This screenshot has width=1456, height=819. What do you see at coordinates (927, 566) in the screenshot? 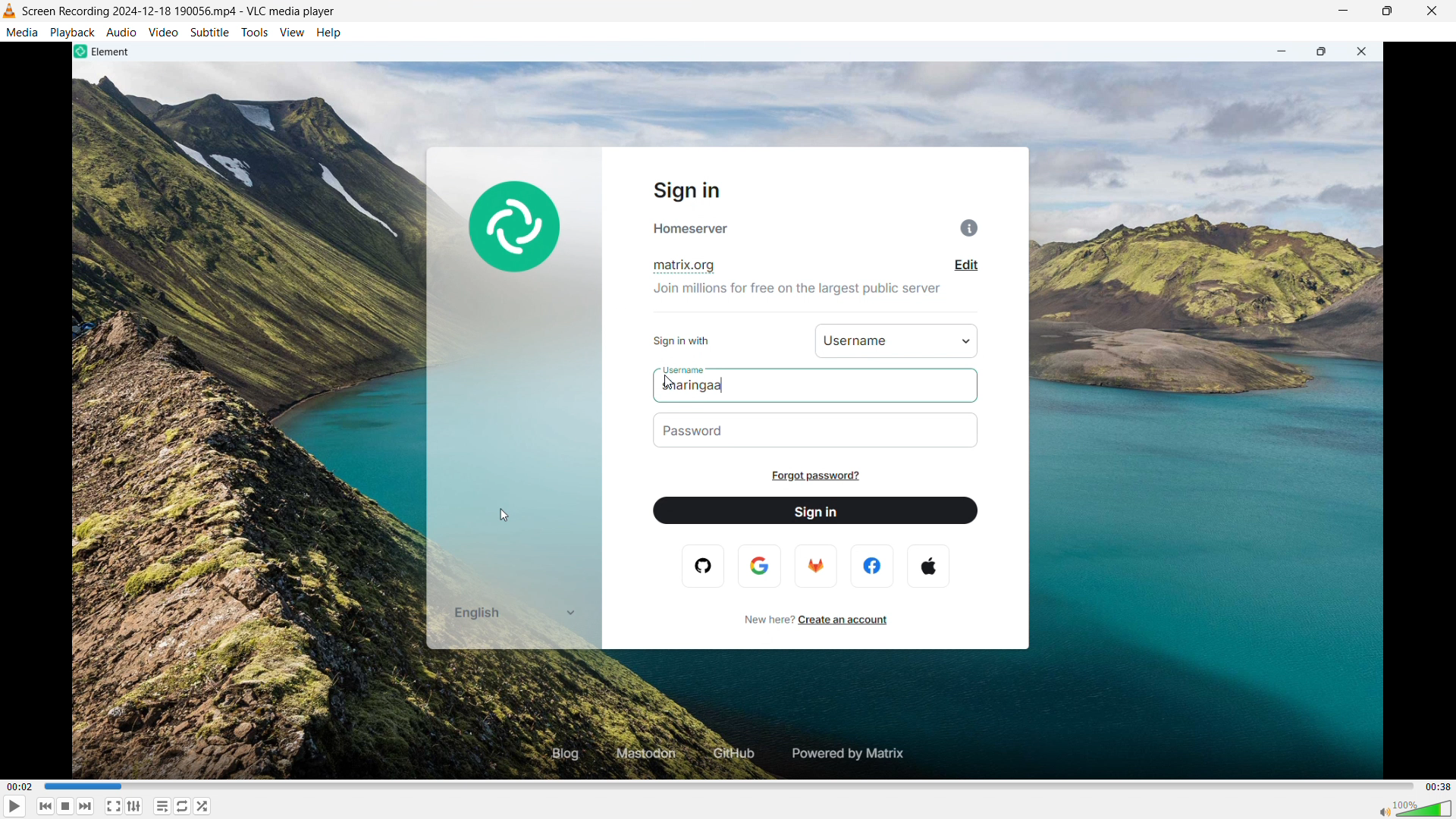
I see `apple logo` at bounding box center [927, 566].